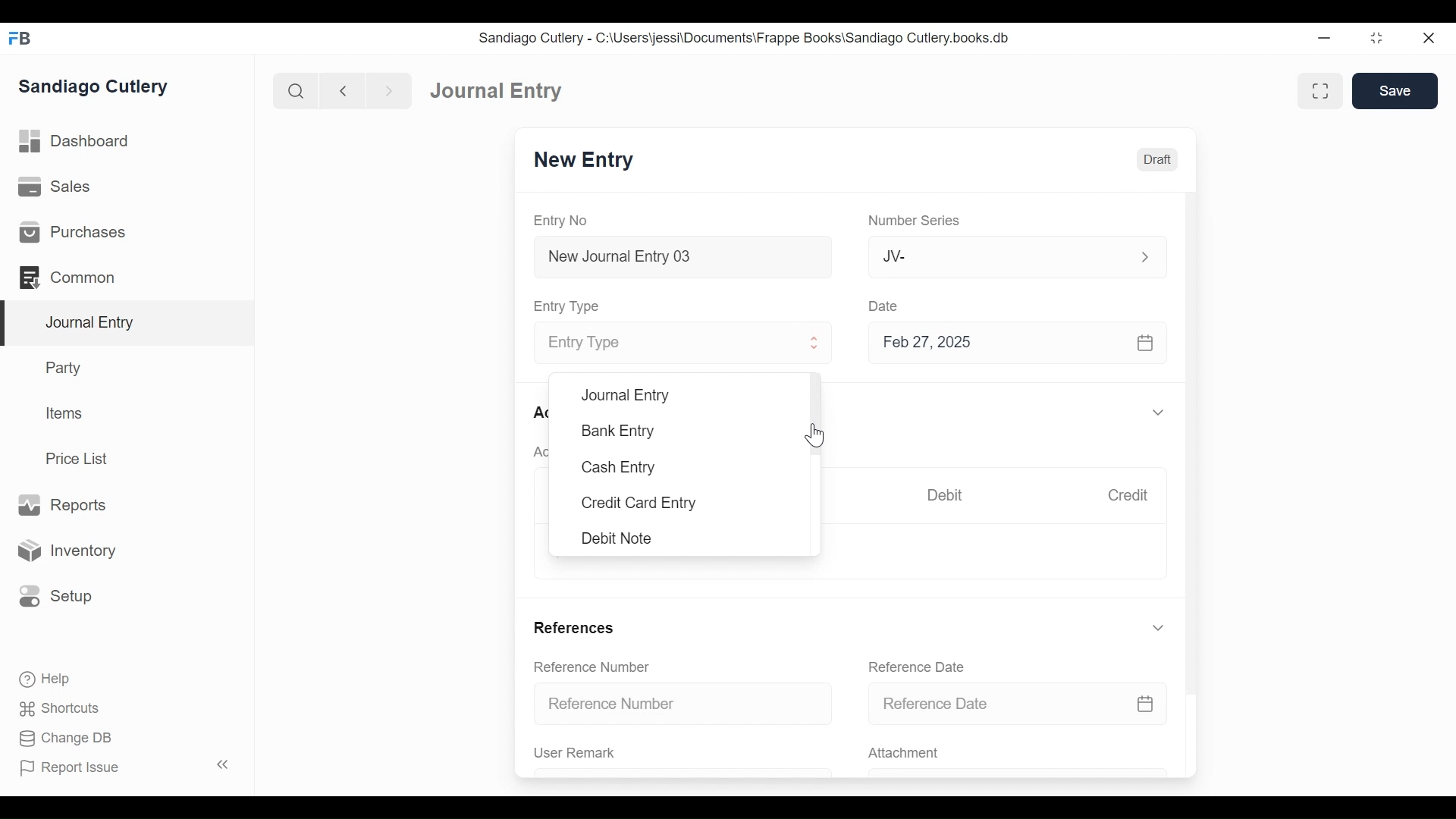 This screenshot has width=1456, height=819. What do you see at coordinates (1156, 161) in the screenshot?
I see `Draft` at bounding box center [1156, 161].